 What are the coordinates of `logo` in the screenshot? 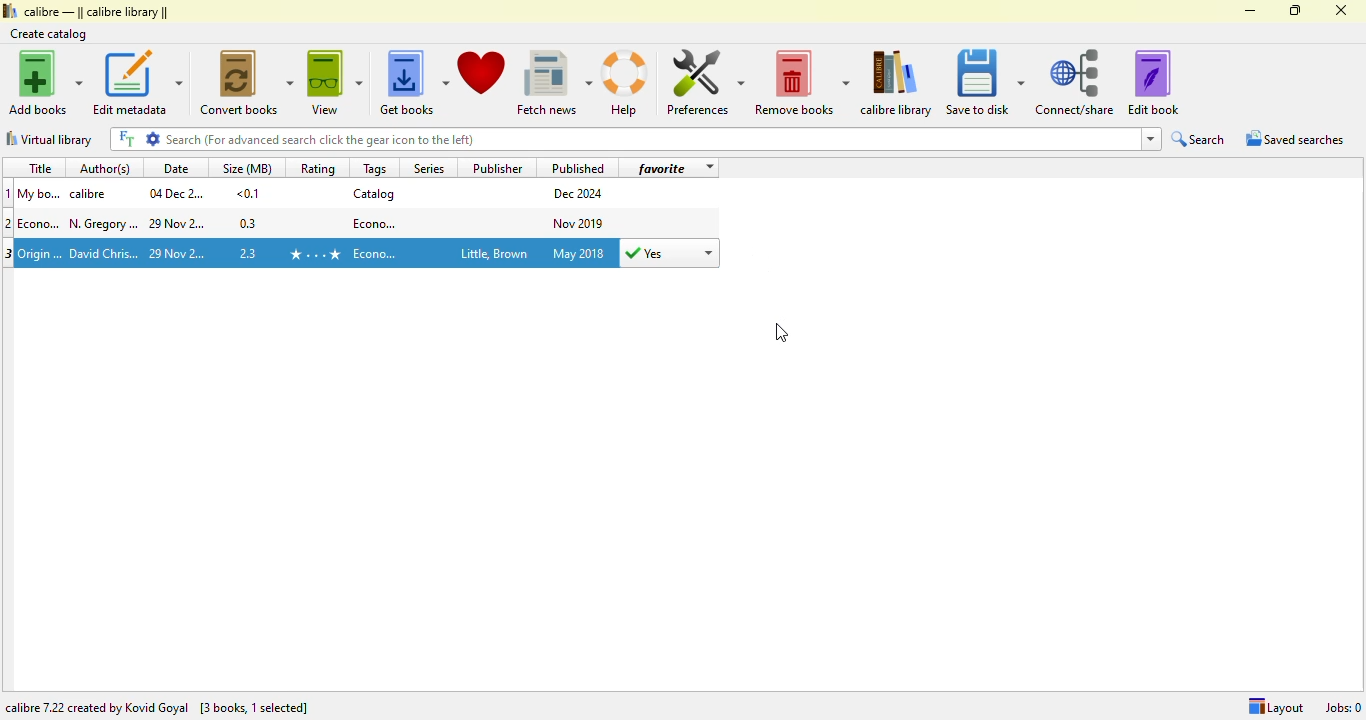 It's located at (9, 10).